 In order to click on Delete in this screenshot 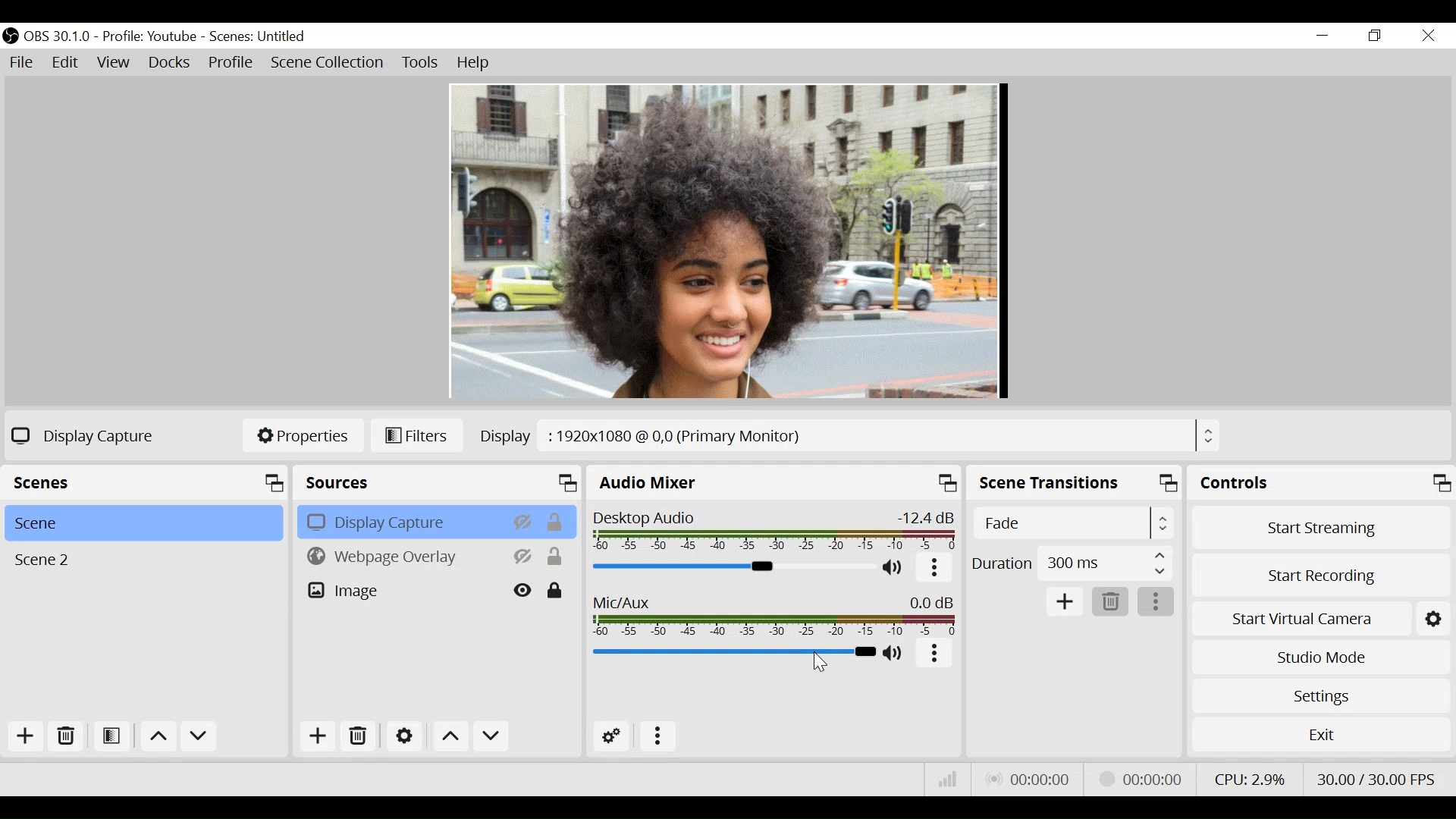, I will do `click(67, 738)`.